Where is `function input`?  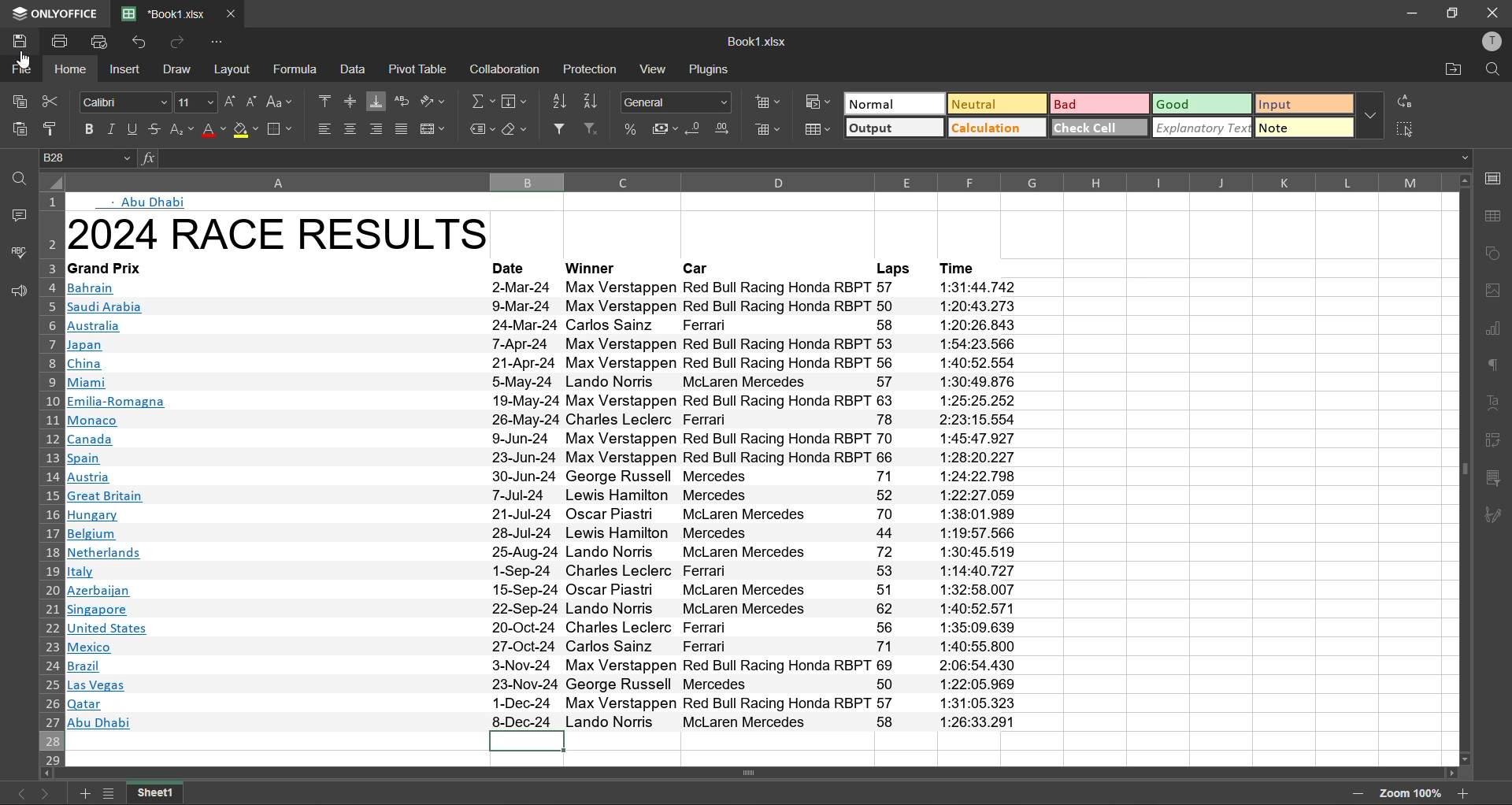 function input is located at coordinates (151, 161).